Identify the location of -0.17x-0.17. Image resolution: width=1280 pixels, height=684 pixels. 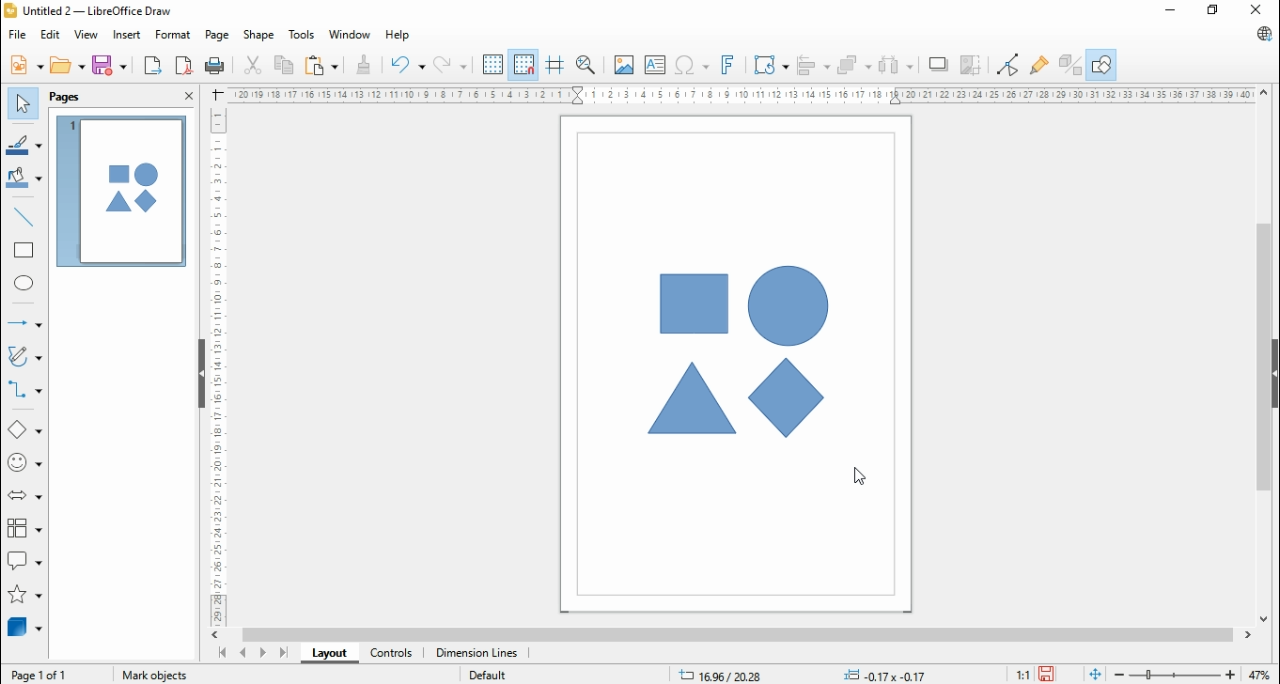
(883, 675).